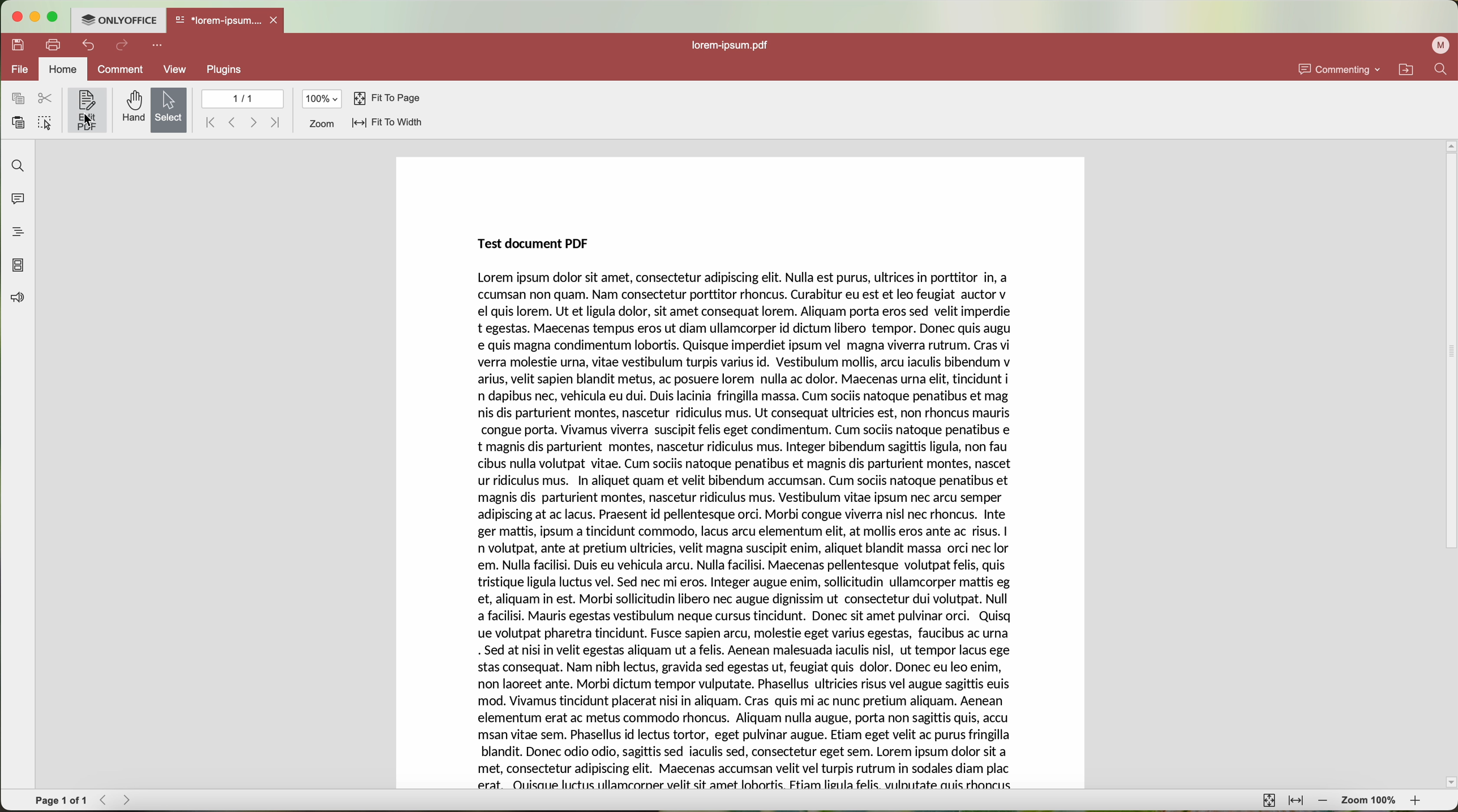 The image size is (1458, 812). Describe the element at coordinates (243, 99) in the screenshot. I see `1/1` at that location.